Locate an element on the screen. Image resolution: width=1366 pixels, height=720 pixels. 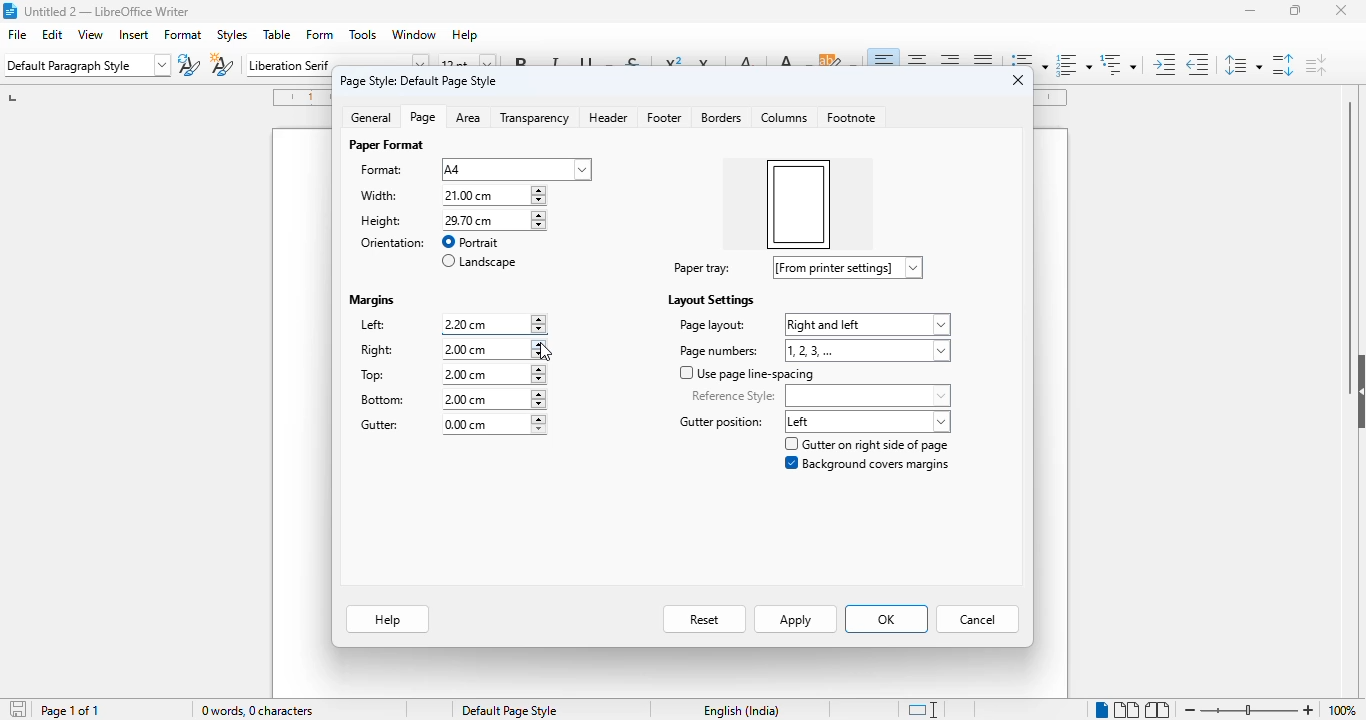
increment or decrement  is located at coordinates (542, 400).